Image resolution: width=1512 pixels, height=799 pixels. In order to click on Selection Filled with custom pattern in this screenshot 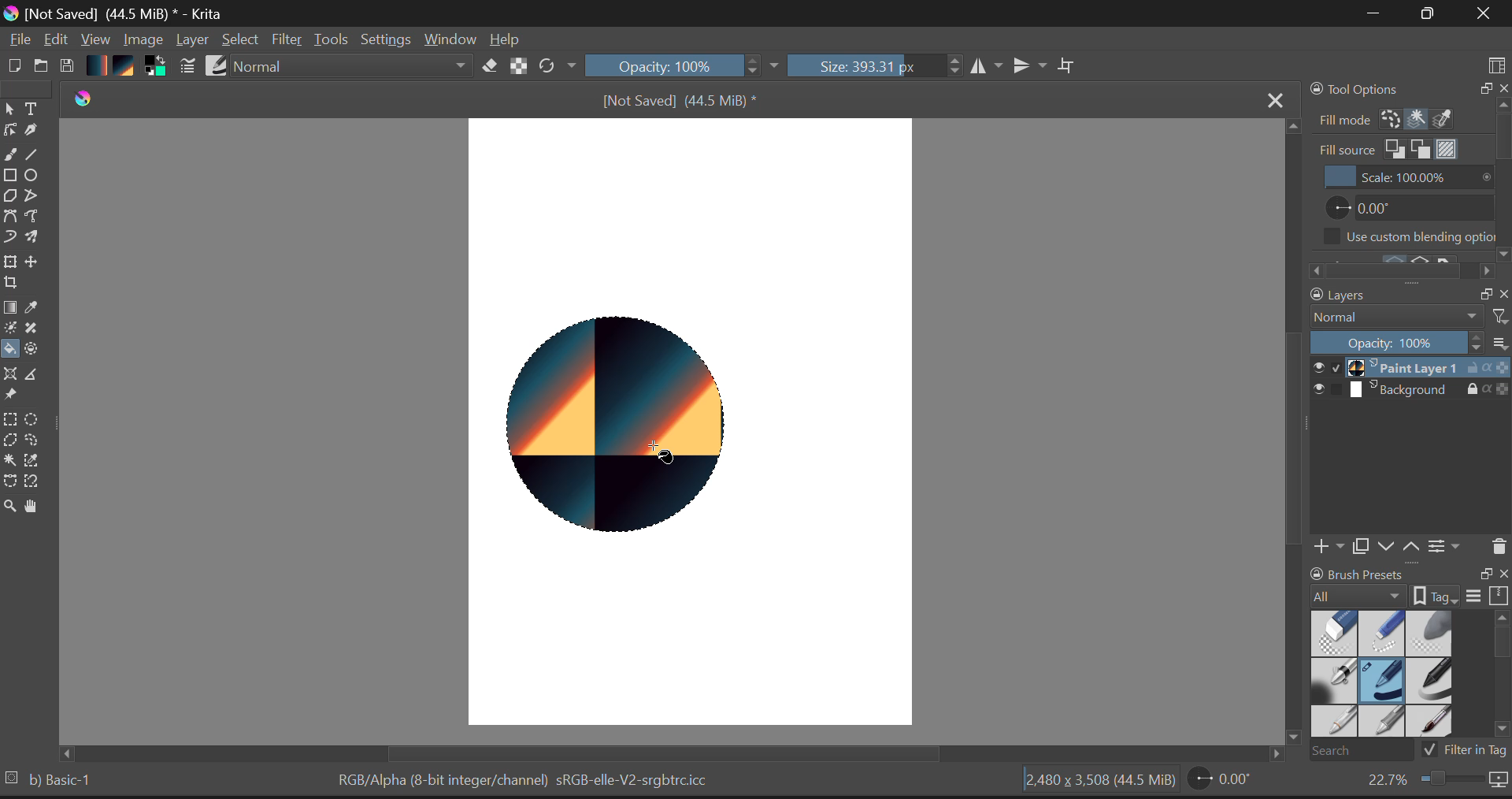, I will do `click(619, 426)`.